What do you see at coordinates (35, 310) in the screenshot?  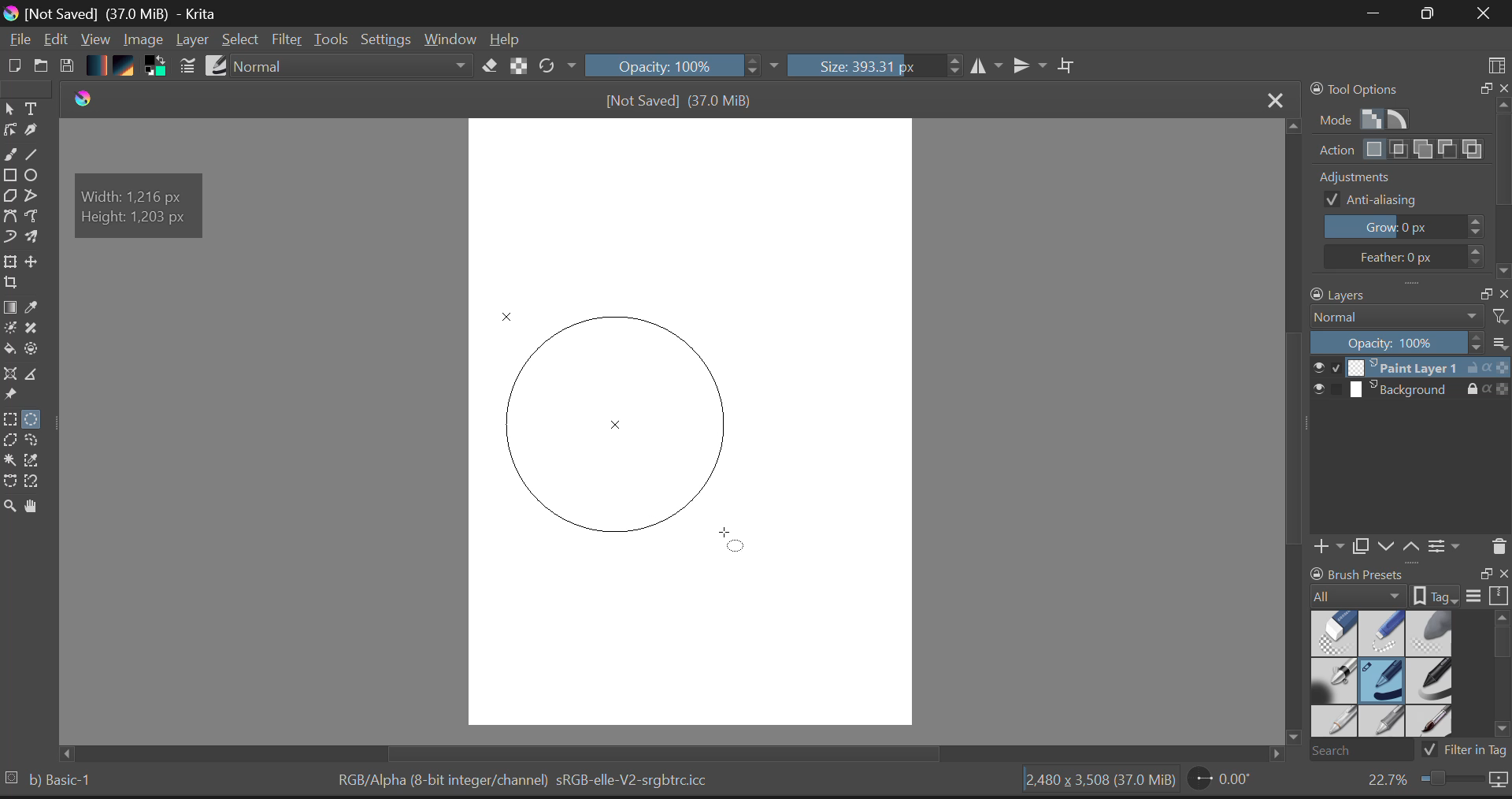 I see `Eyedropper` at bounding box center [35, 310].